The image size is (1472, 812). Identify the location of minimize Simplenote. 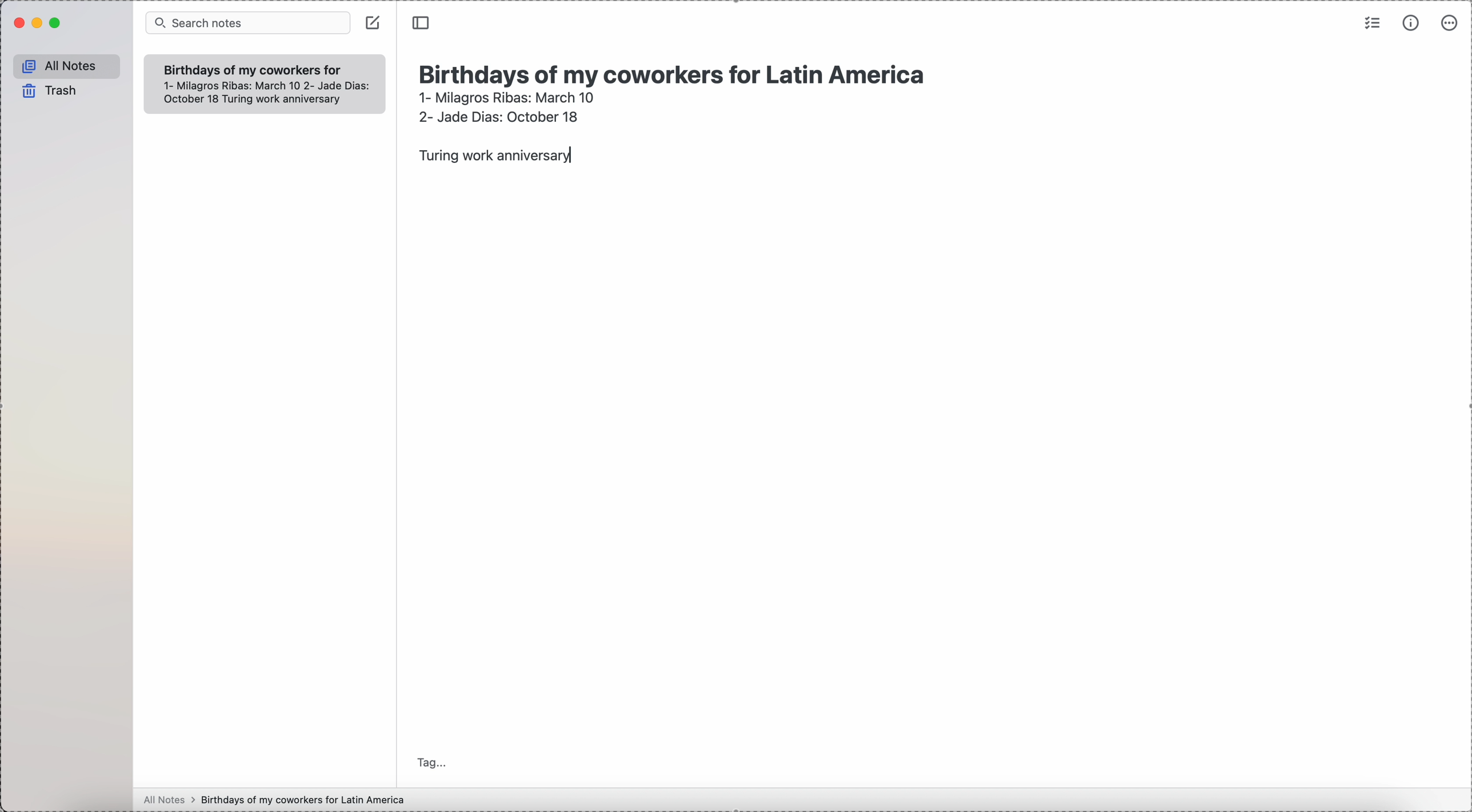
(39, 24).